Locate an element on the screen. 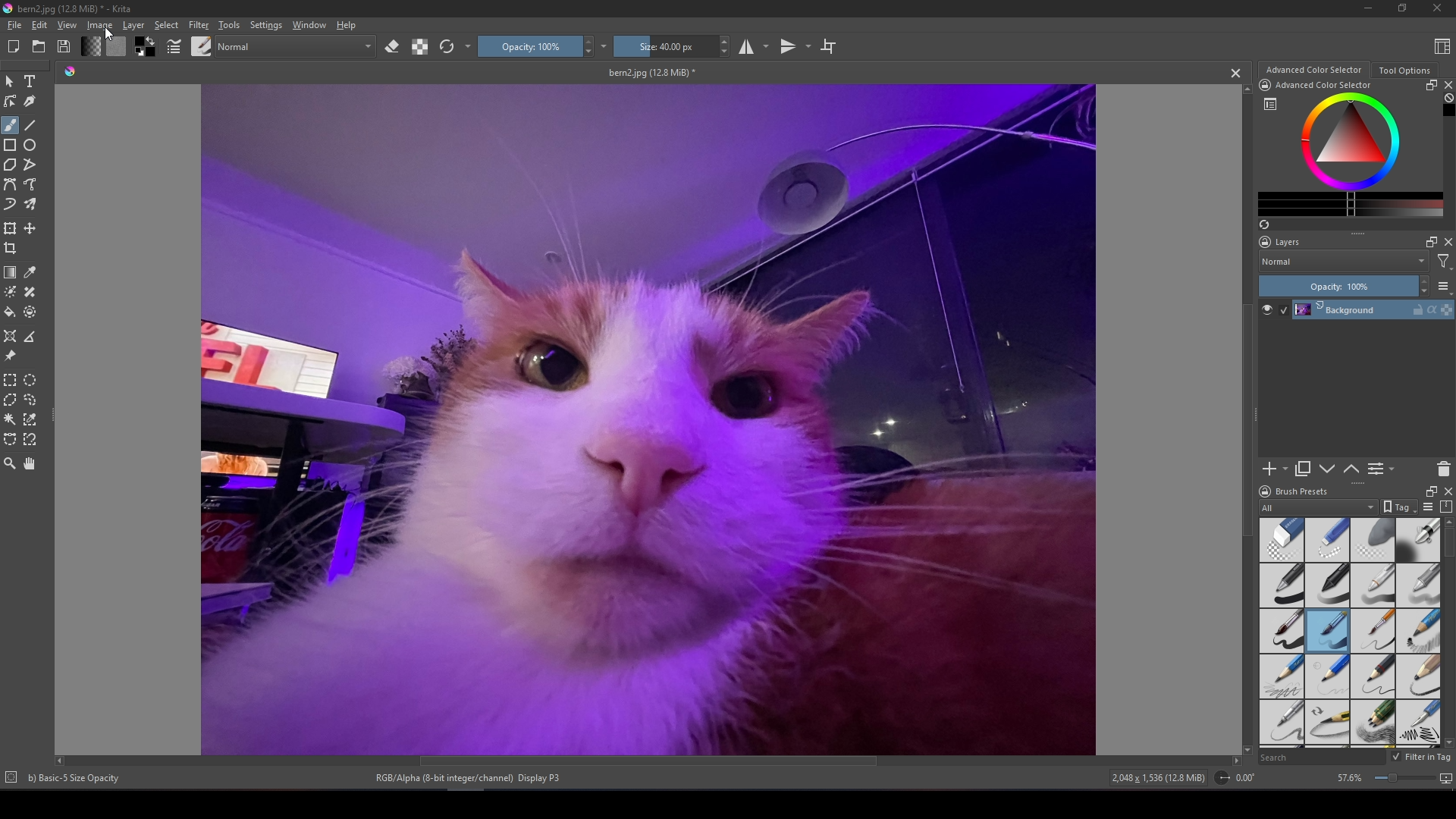 The height and width of the screenshot is (819, 1456). Size is located at coordinates (674, 46).